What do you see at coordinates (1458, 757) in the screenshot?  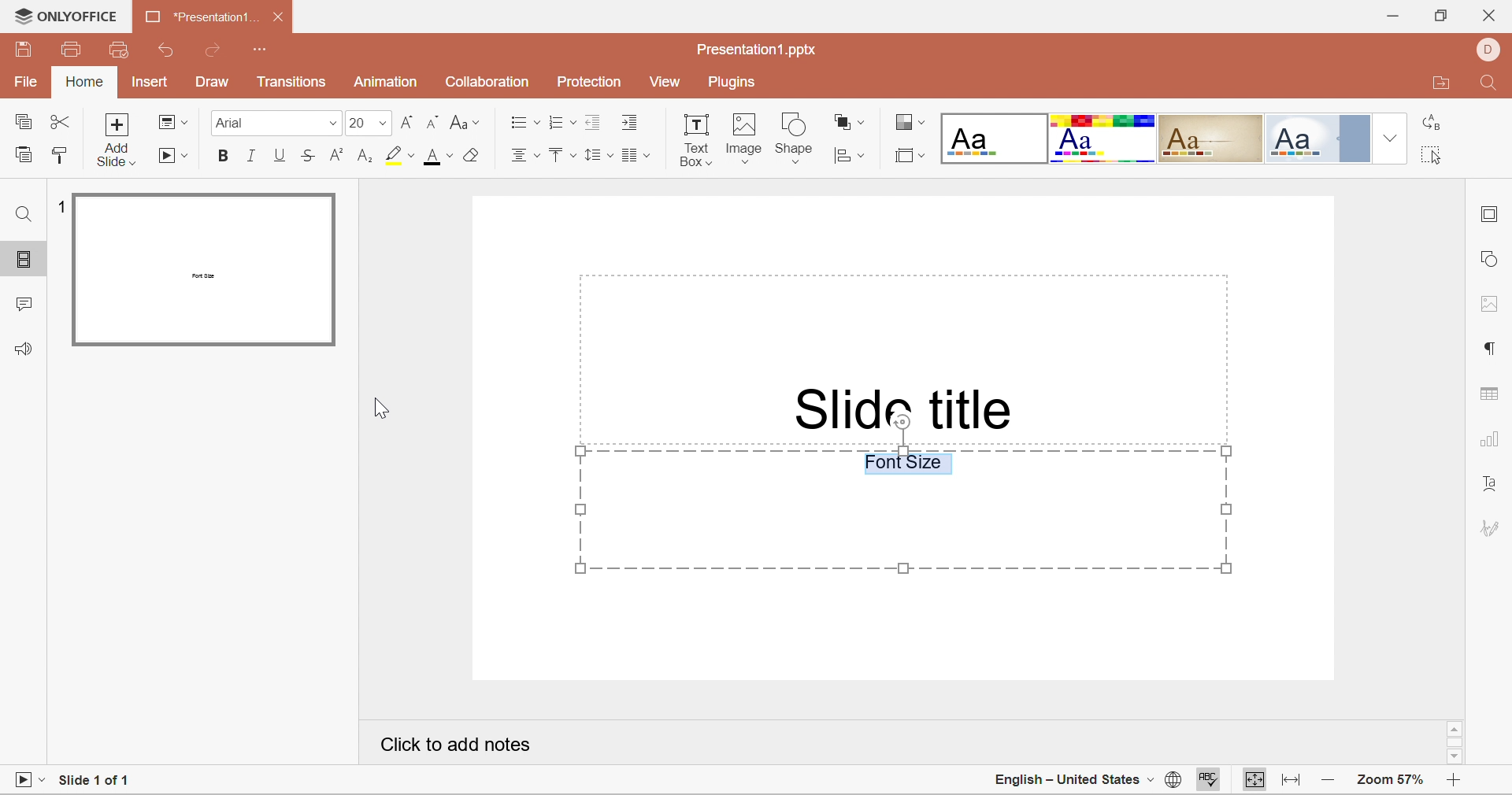 I see `Scroll Down` at bounding box center [1458, 757].